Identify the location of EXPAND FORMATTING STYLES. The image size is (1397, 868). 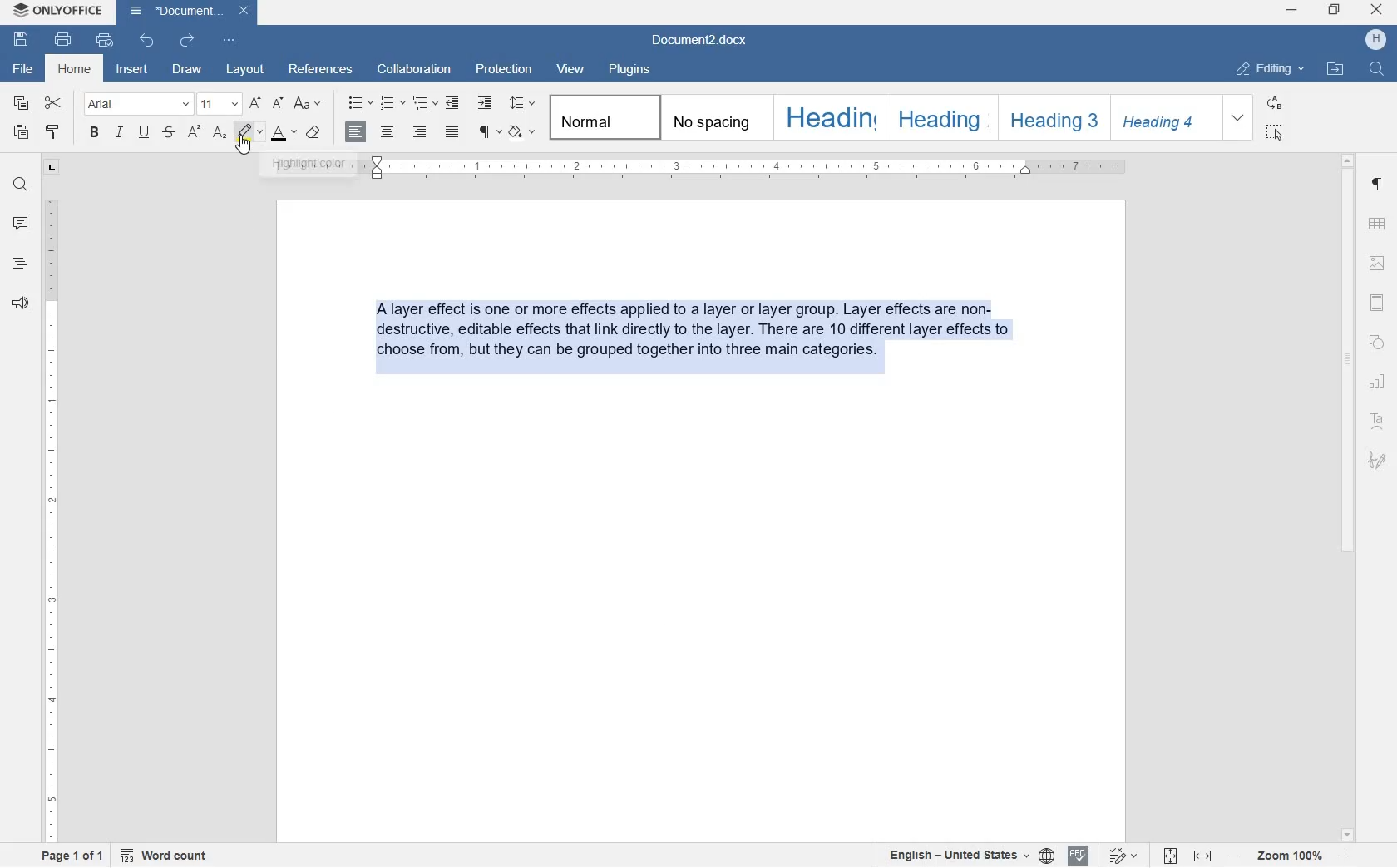
(1237, 116).